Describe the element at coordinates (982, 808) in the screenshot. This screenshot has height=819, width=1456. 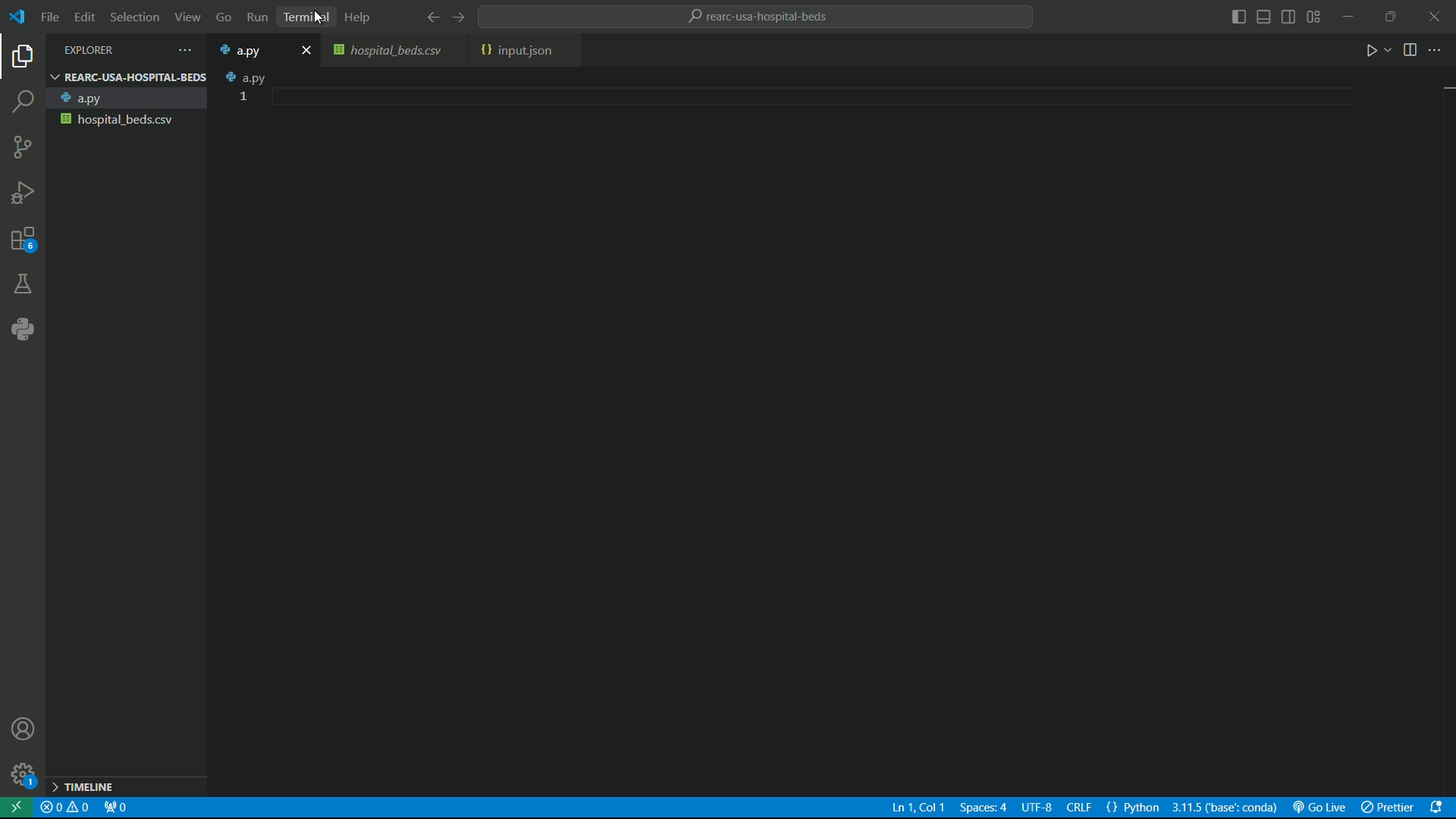
I see `select indentation` at that location.